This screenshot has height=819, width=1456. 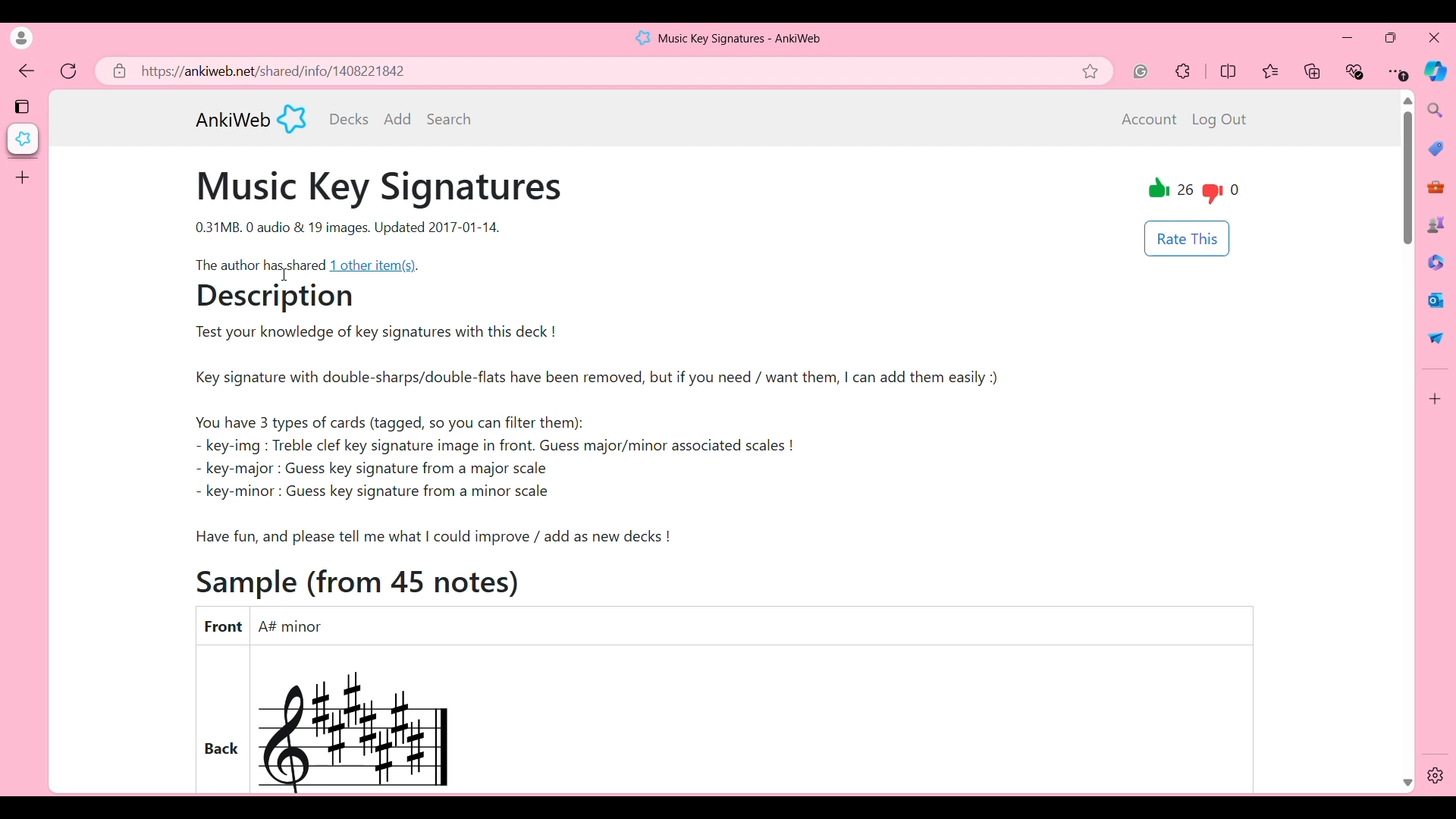 What do you see at coordinates (642, 37) in the screenshot?
I see `Software logo` at bounding box center [642, 37].